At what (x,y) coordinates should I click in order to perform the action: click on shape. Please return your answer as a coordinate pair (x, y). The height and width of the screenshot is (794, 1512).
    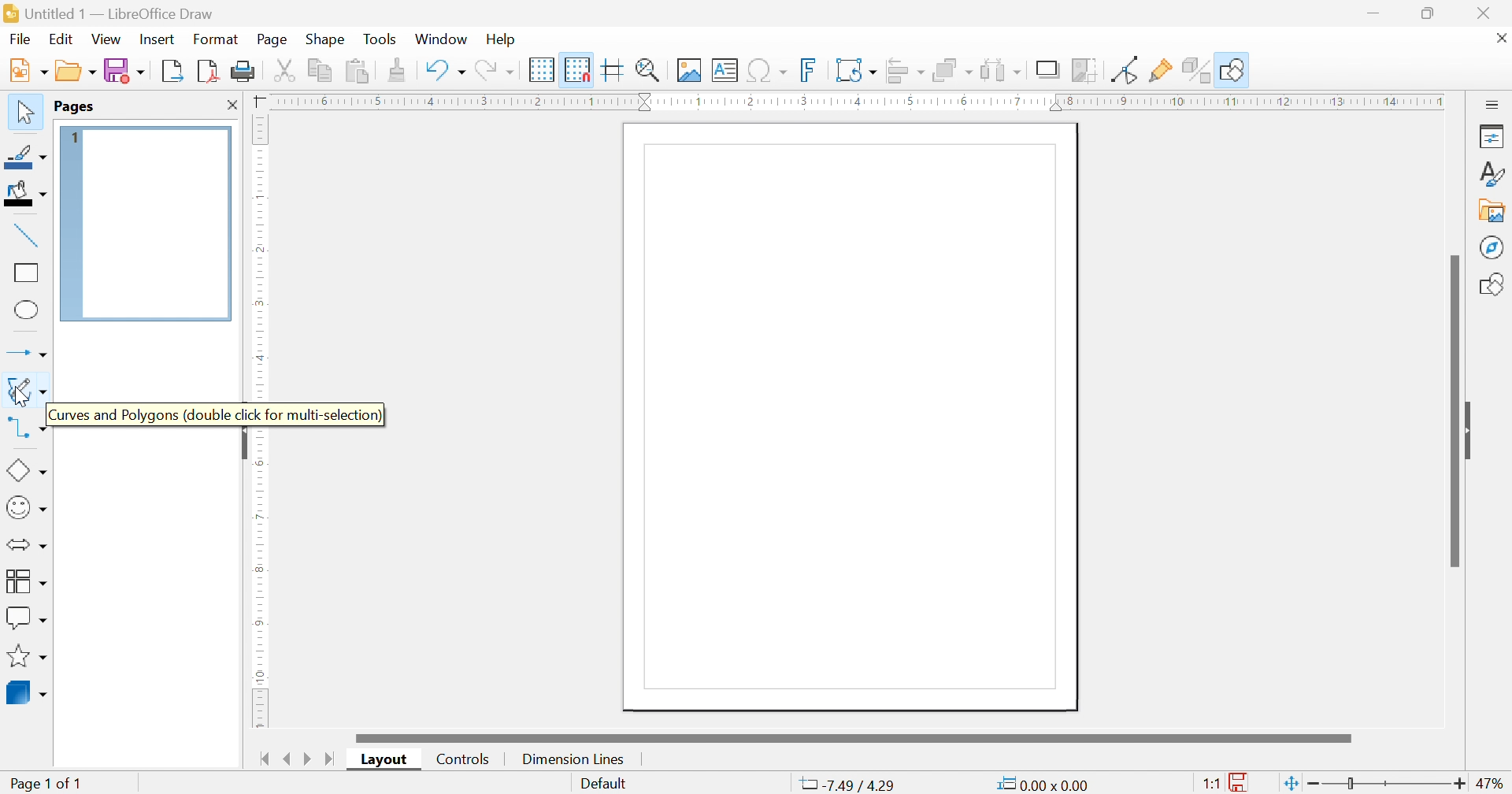
    Looking at the image, I should click on (325, 37).